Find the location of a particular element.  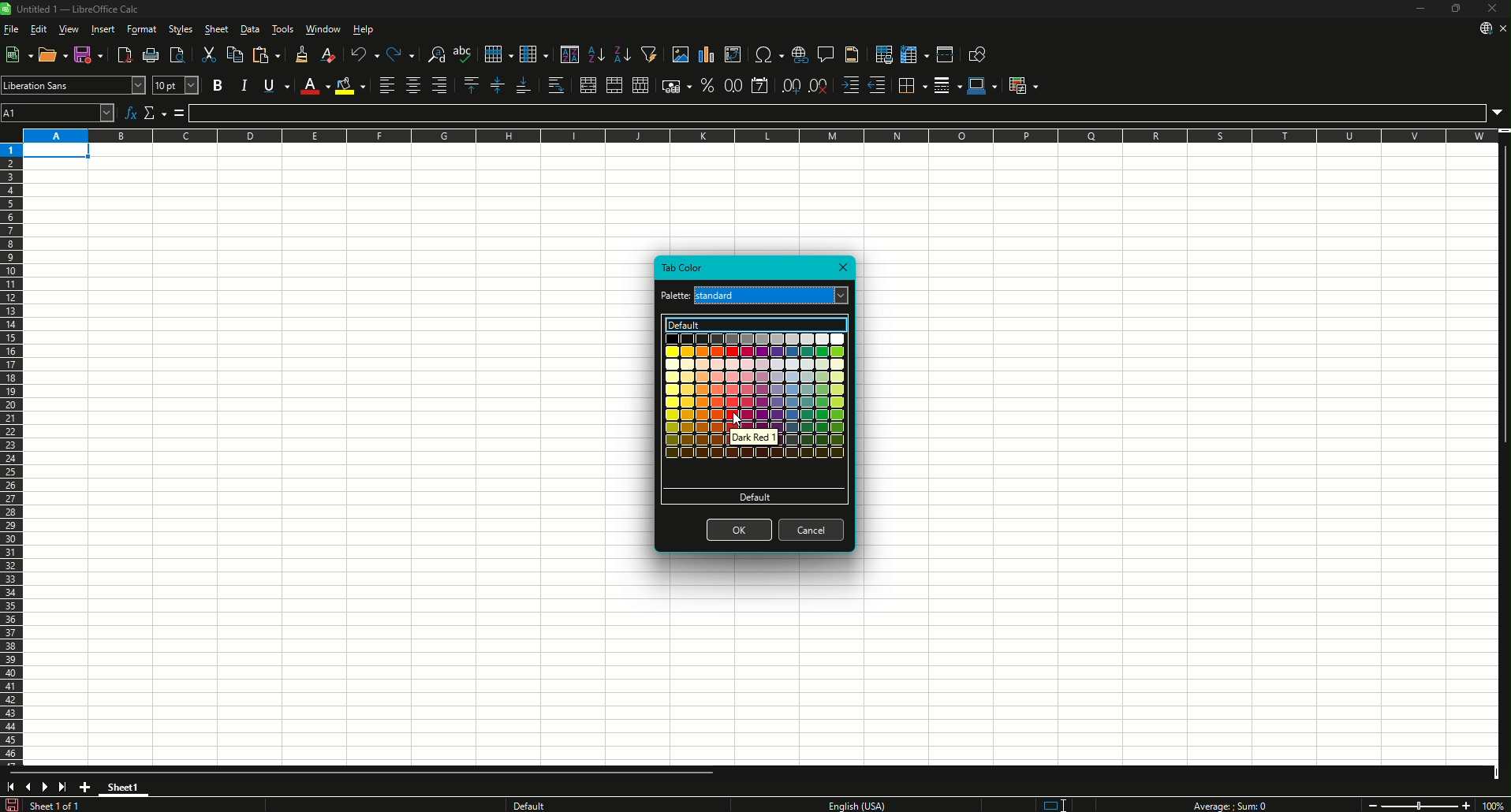

Tools is located at coordinates (283, 28).